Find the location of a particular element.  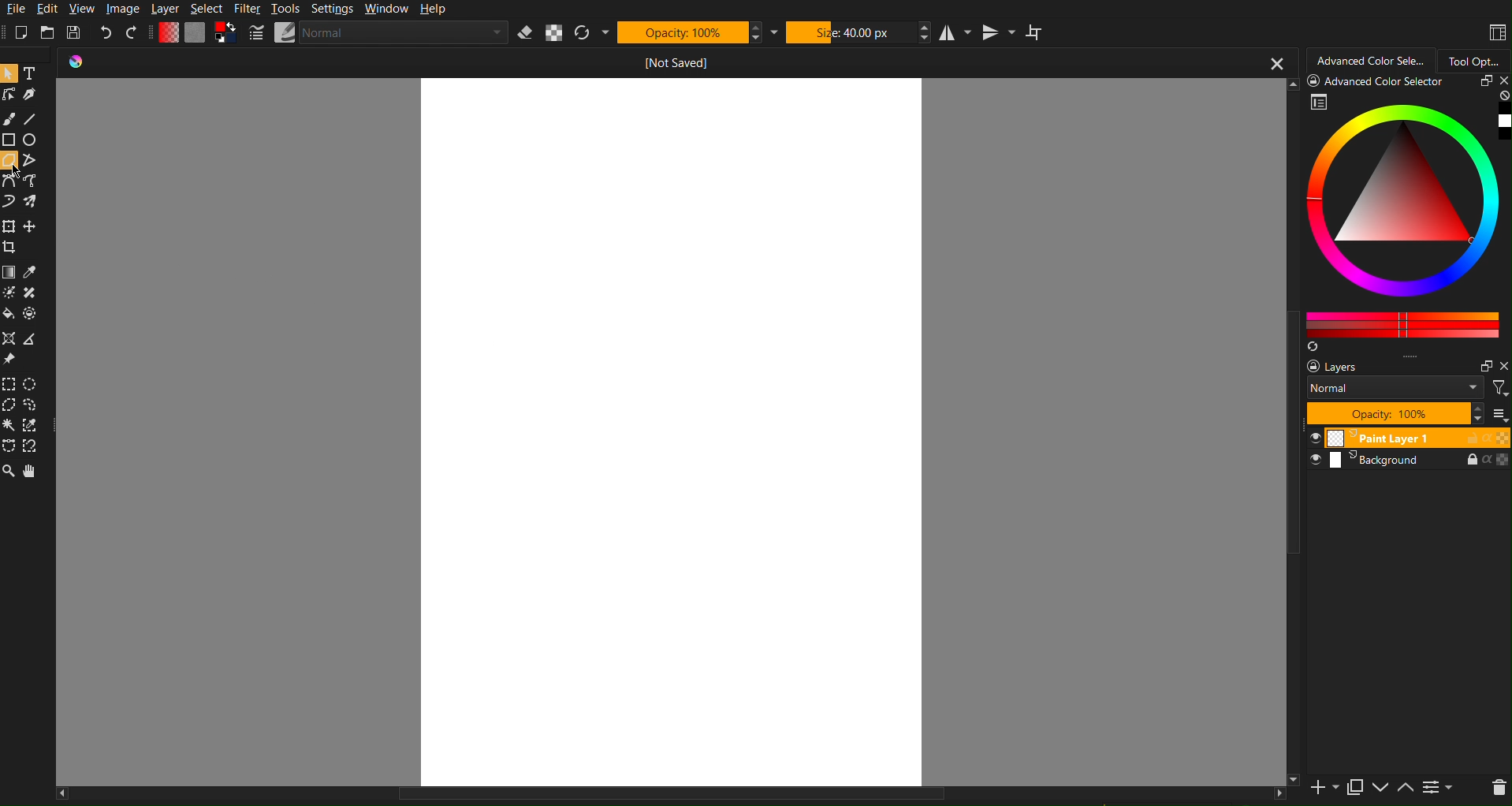

create a list of colors from the image is located at coordinates (1314, 347).